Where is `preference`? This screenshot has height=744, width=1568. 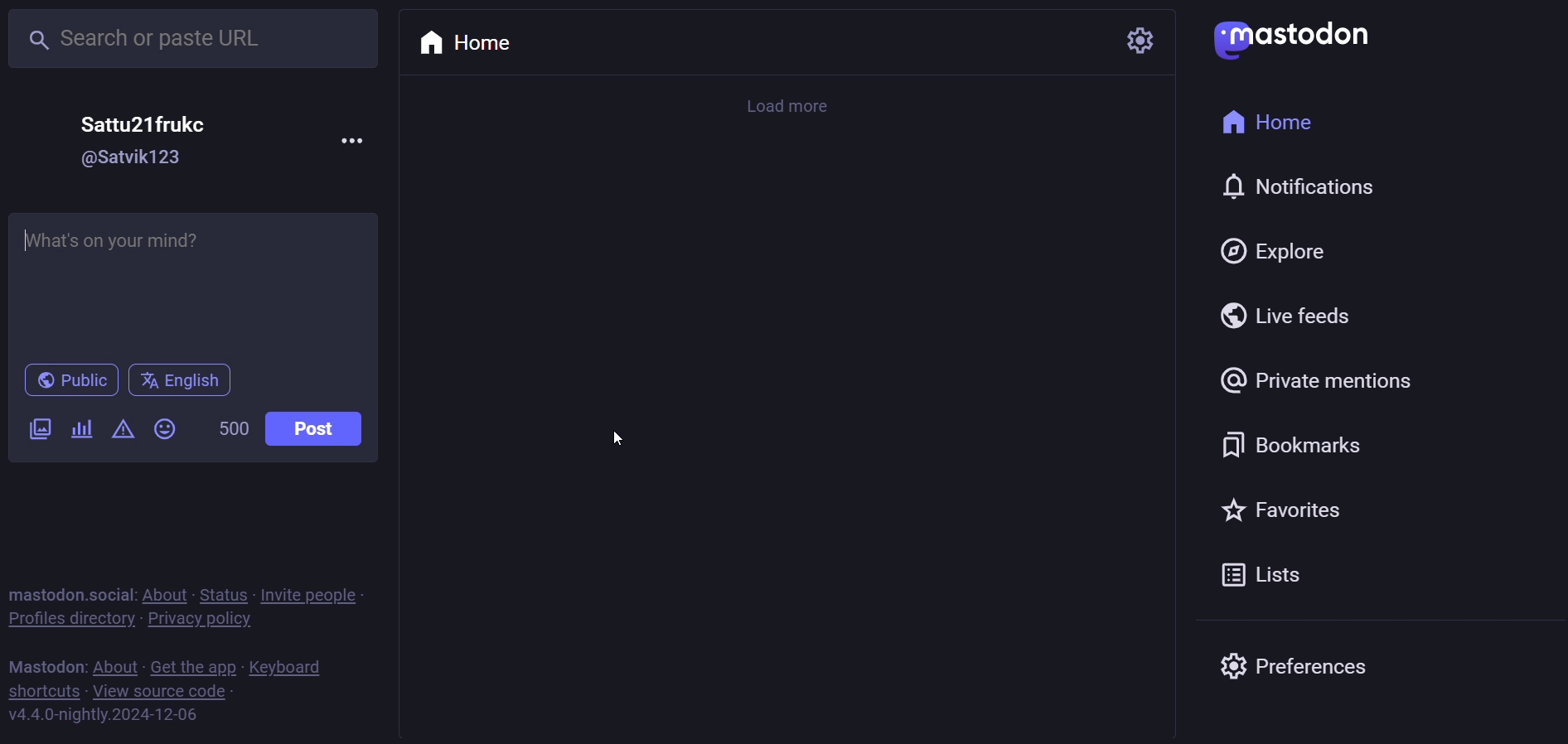
preference is located at coordinates (1290, 660).